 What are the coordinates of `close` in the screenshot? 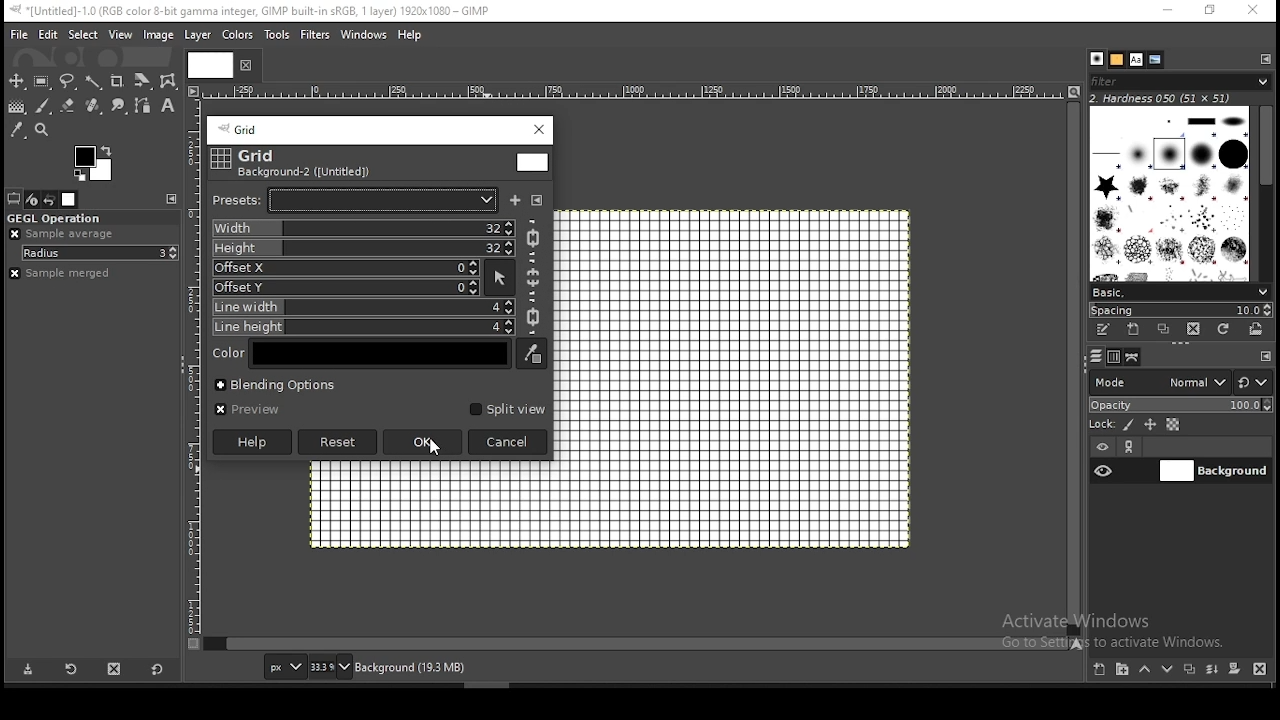 It's located at (244, 65).